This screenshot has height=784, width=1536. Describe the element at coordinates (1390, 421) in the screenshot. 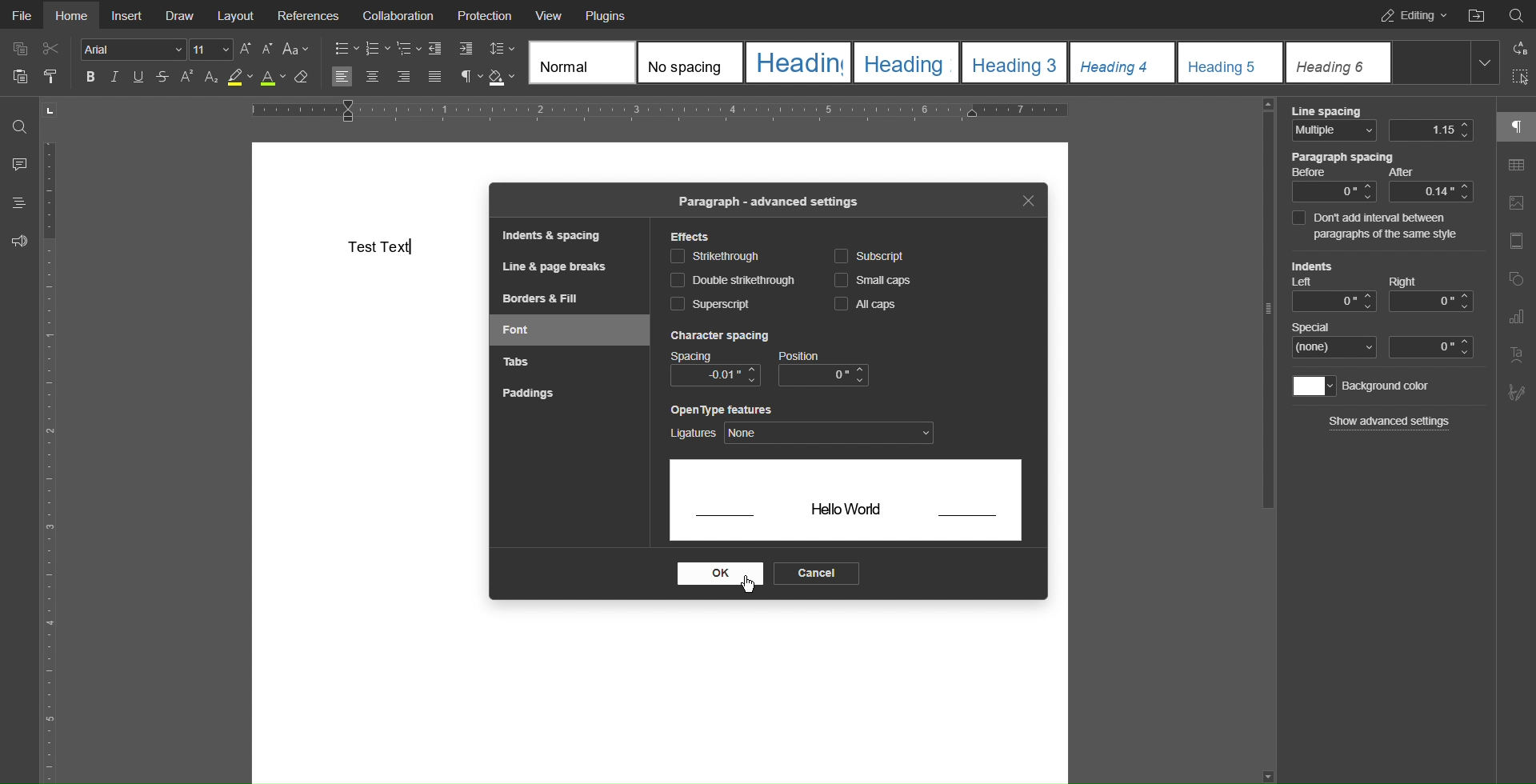

I see `Show advanced settings` at that location.